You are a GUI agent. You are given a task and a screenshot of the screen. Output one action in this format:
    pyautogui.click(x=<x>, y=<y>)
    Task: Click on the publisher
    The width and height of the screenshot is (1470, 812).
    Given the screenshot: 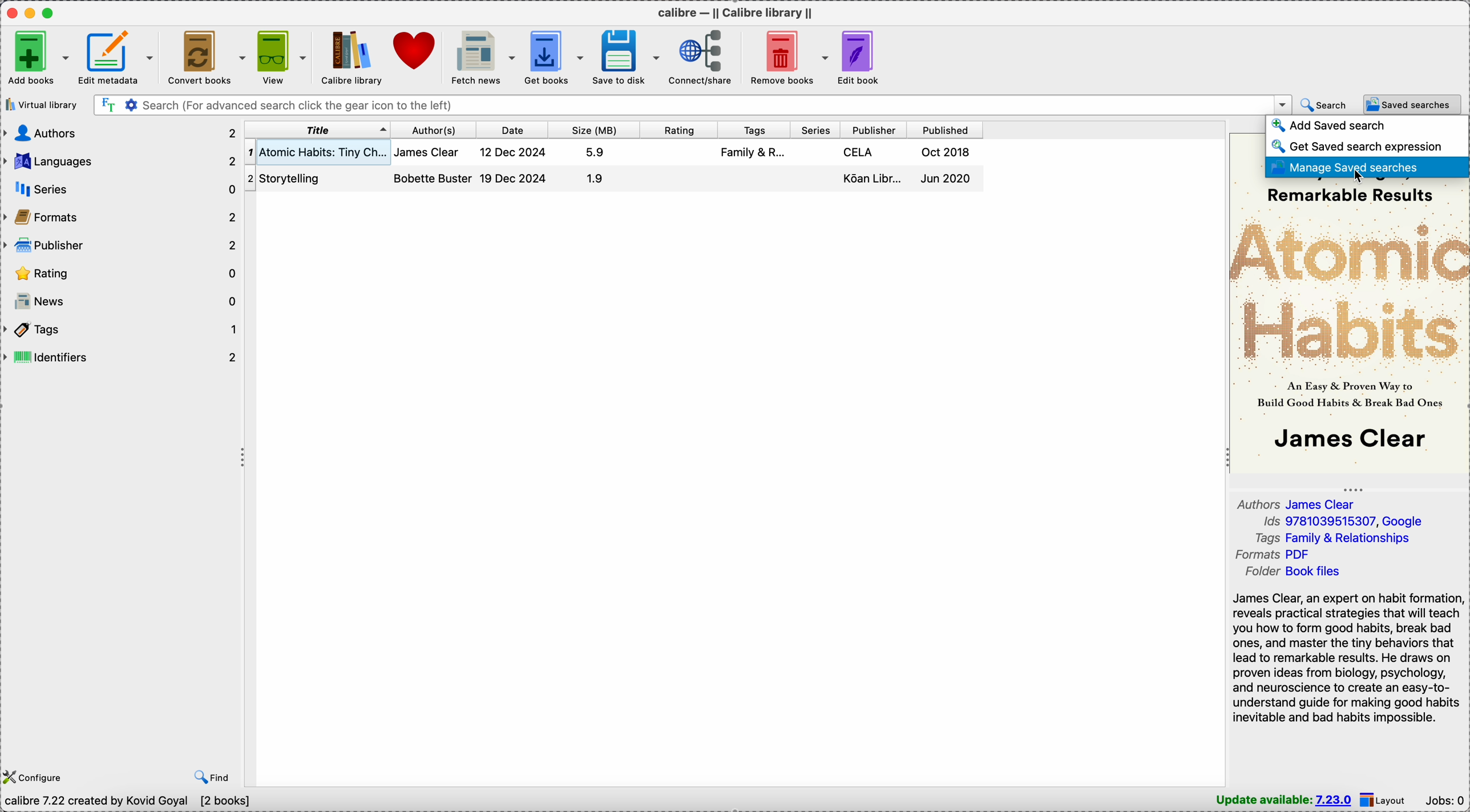 What is the action you would take?
    pyautogui.click(x=119, y=247)
    